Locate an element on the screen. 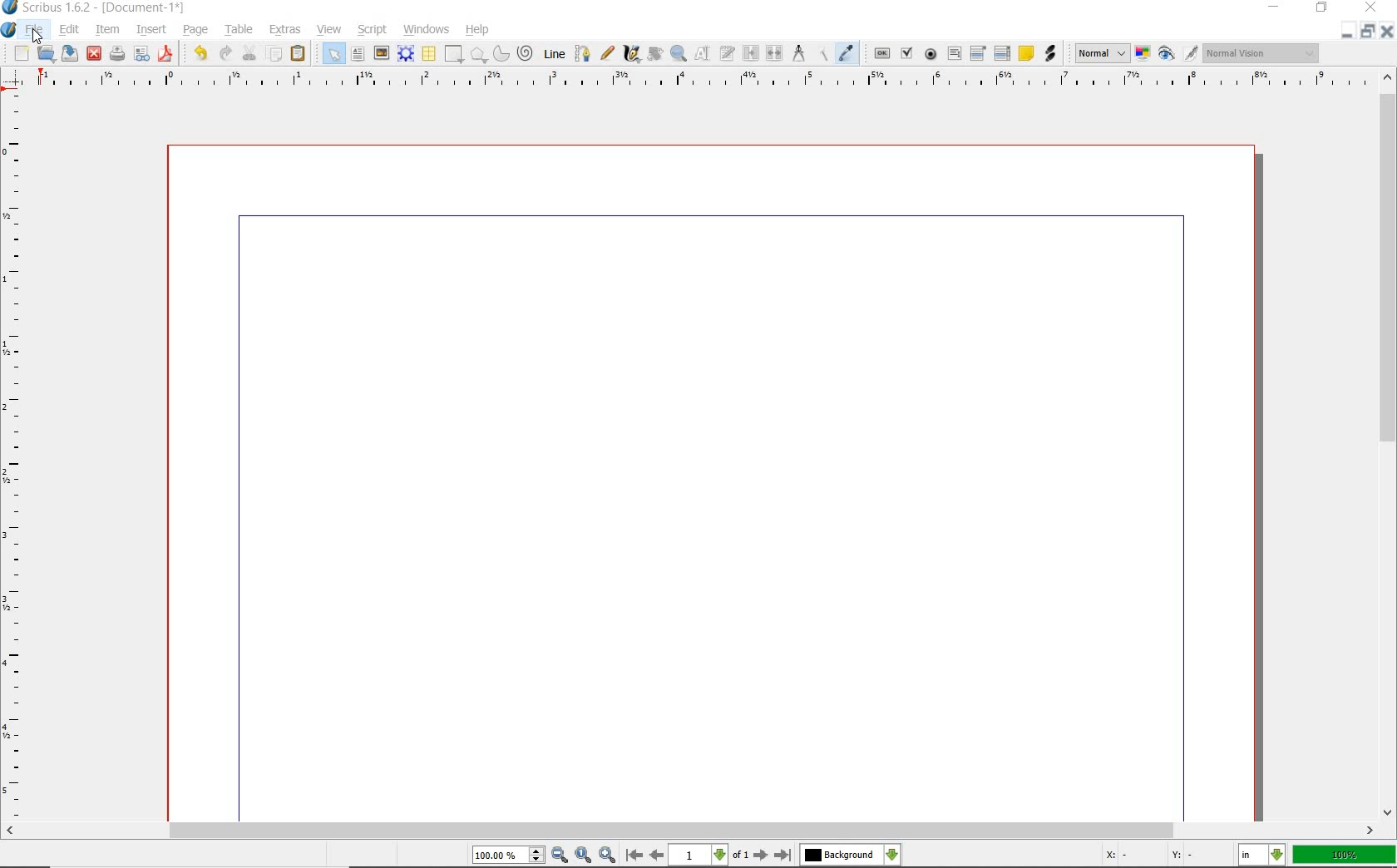  open is located at coordinates (46, 52).